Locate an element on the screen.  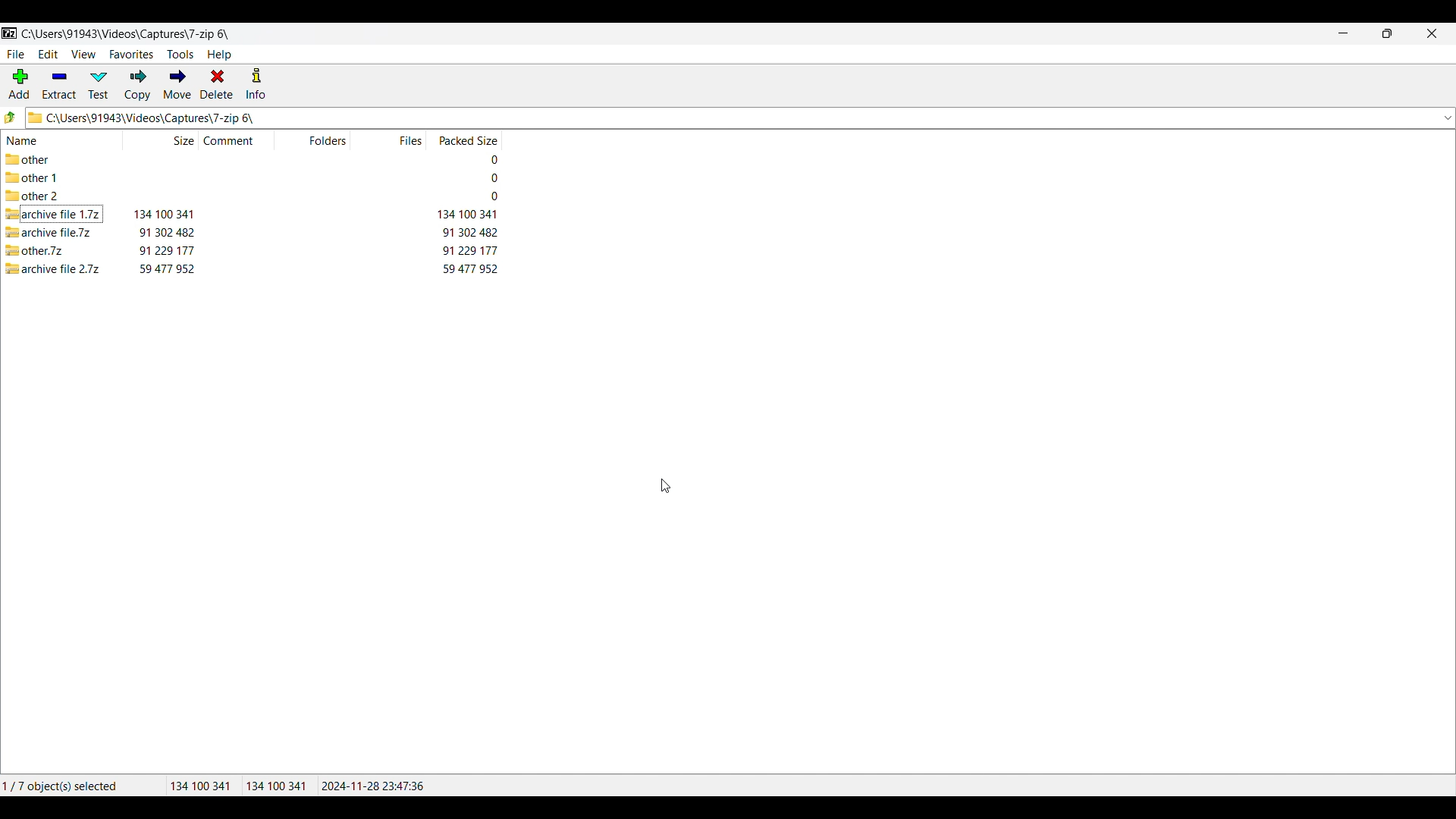
Minimize is located at coordinates (1344, 33).